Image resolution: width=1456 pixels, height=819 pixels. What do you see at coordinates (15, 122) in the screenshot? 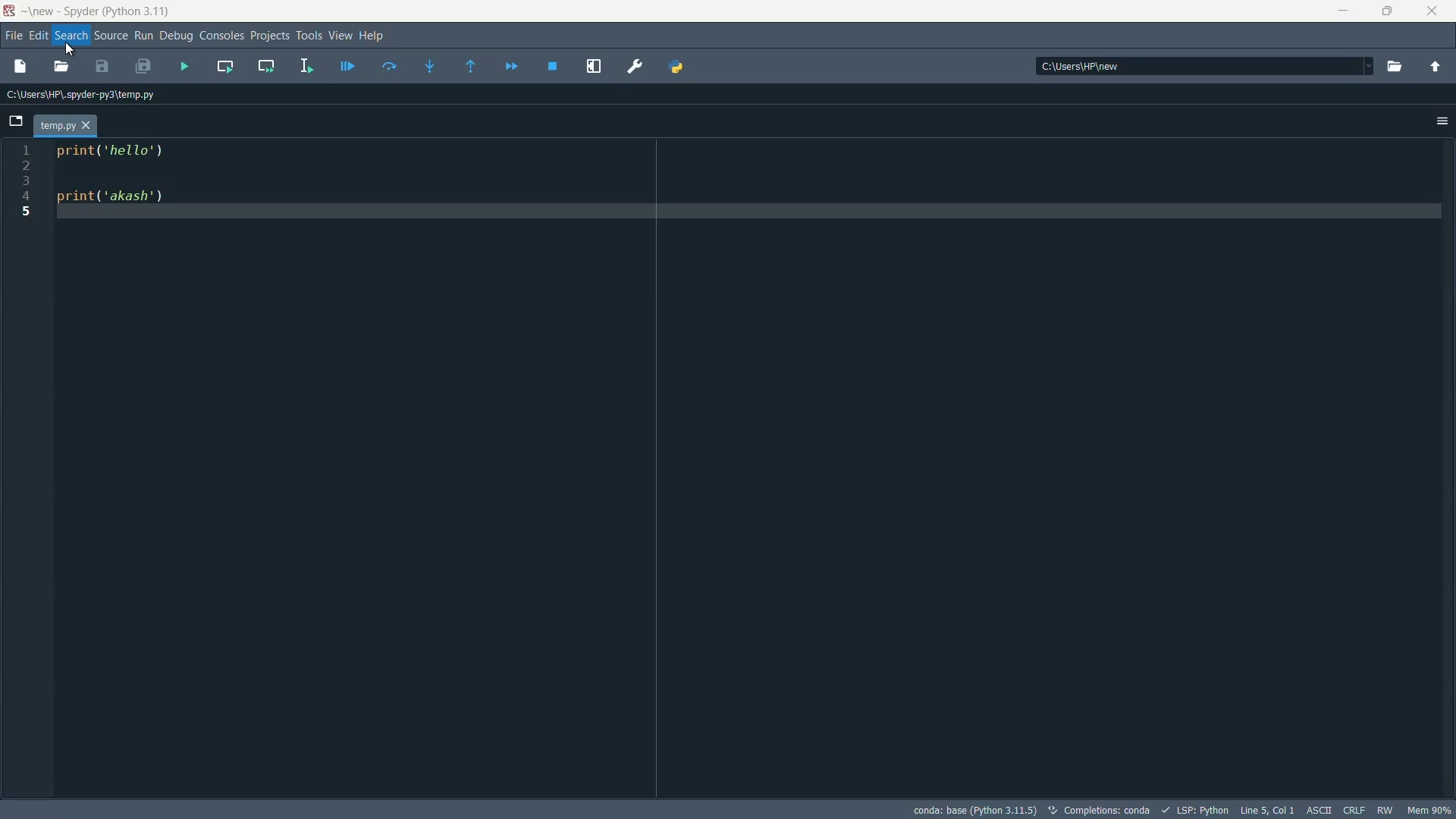
I see `browse tabs` at bounding box center [15, 122].